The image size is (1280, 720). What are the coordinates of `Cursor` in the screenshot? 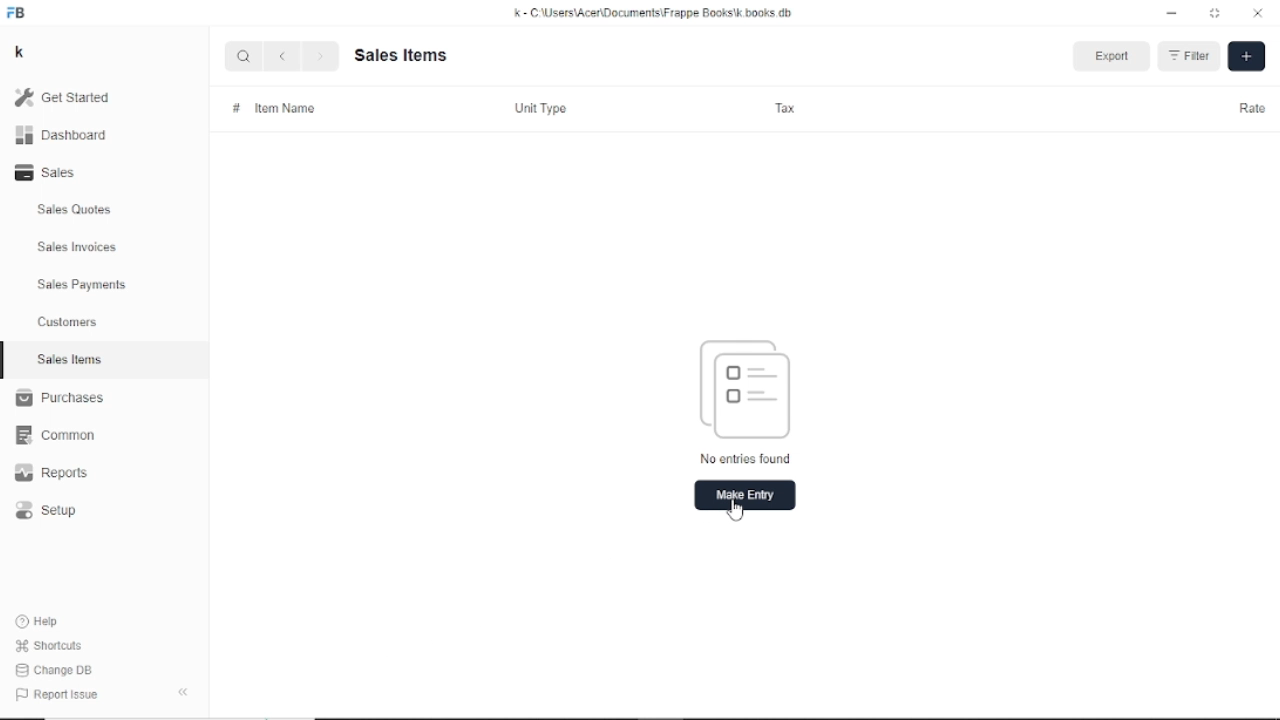 It's located at (734, 508).